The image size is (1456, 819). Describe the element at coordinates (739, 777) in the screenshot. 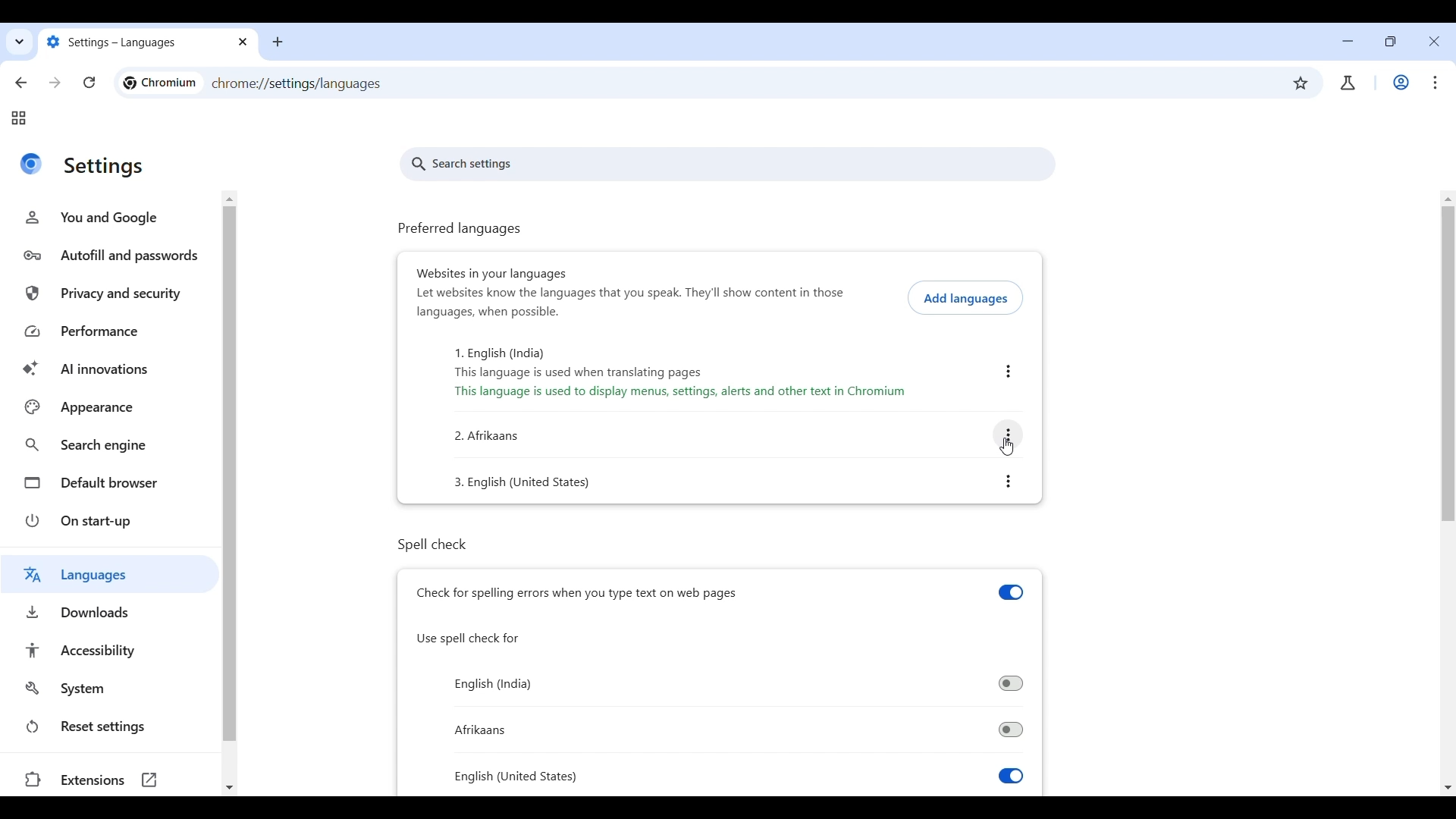

I see `Toggle for spell check in English (US)` at that location.